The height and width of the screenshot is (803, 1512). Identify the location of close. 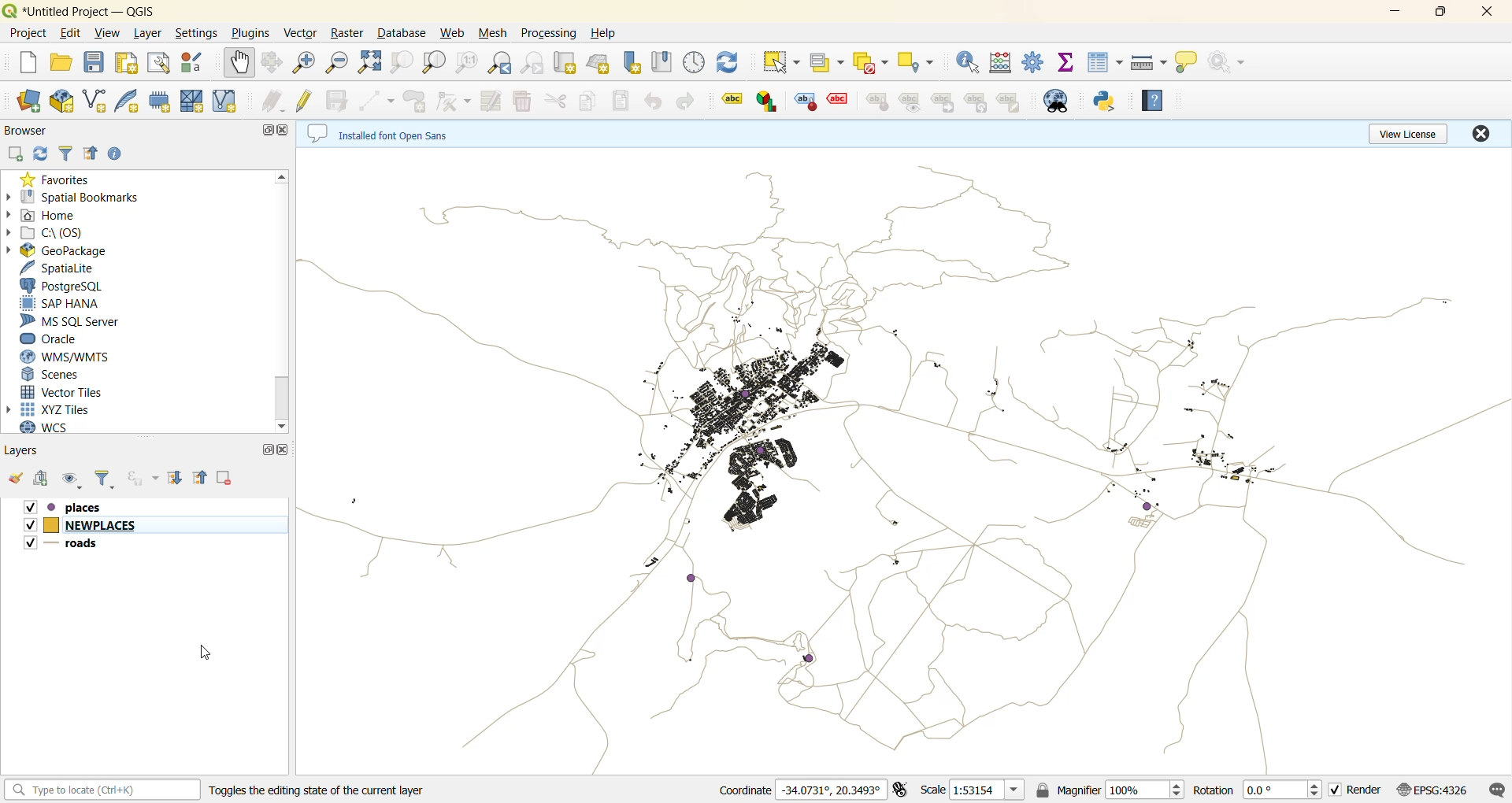
(1481, 134).